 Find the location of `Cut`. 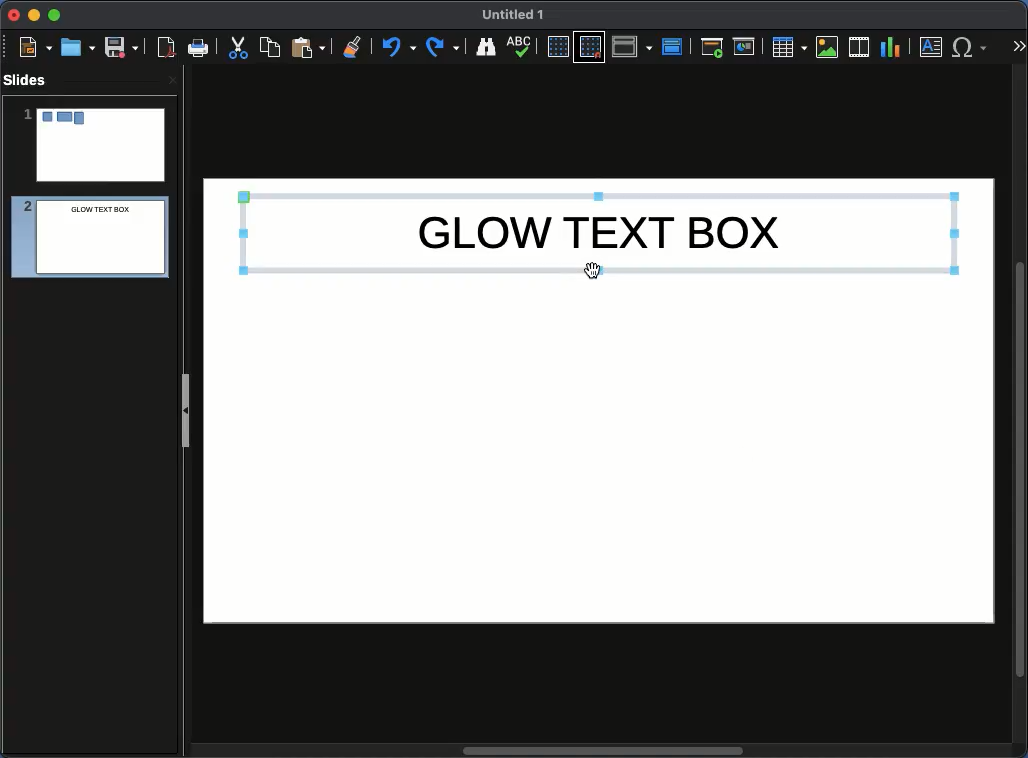

Cut is located at coordinates (238, 47).